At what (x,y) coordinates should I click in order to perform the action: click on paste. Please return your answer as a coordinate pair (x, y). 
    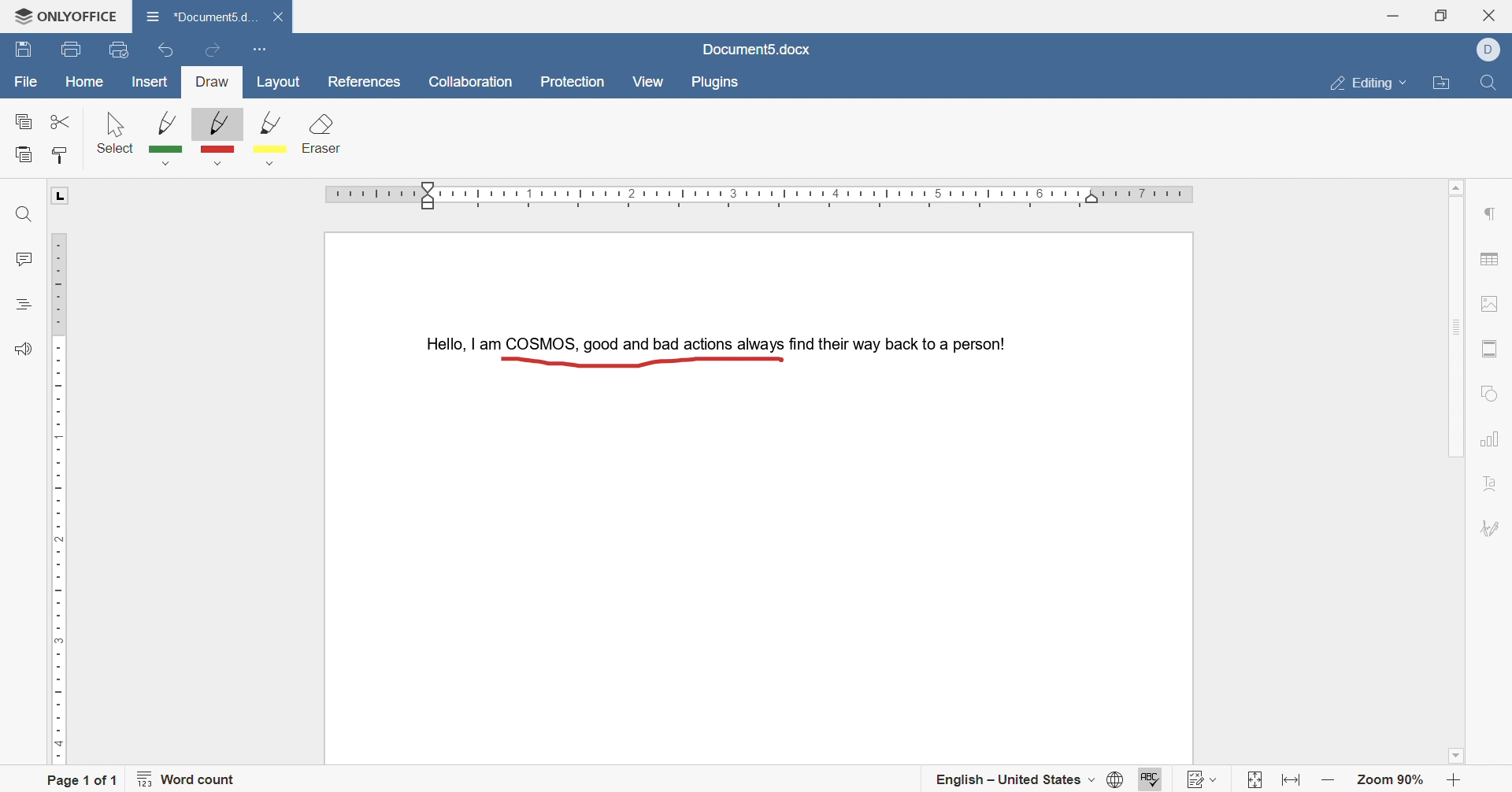
    Looking at the image, I should click on (24, 155).